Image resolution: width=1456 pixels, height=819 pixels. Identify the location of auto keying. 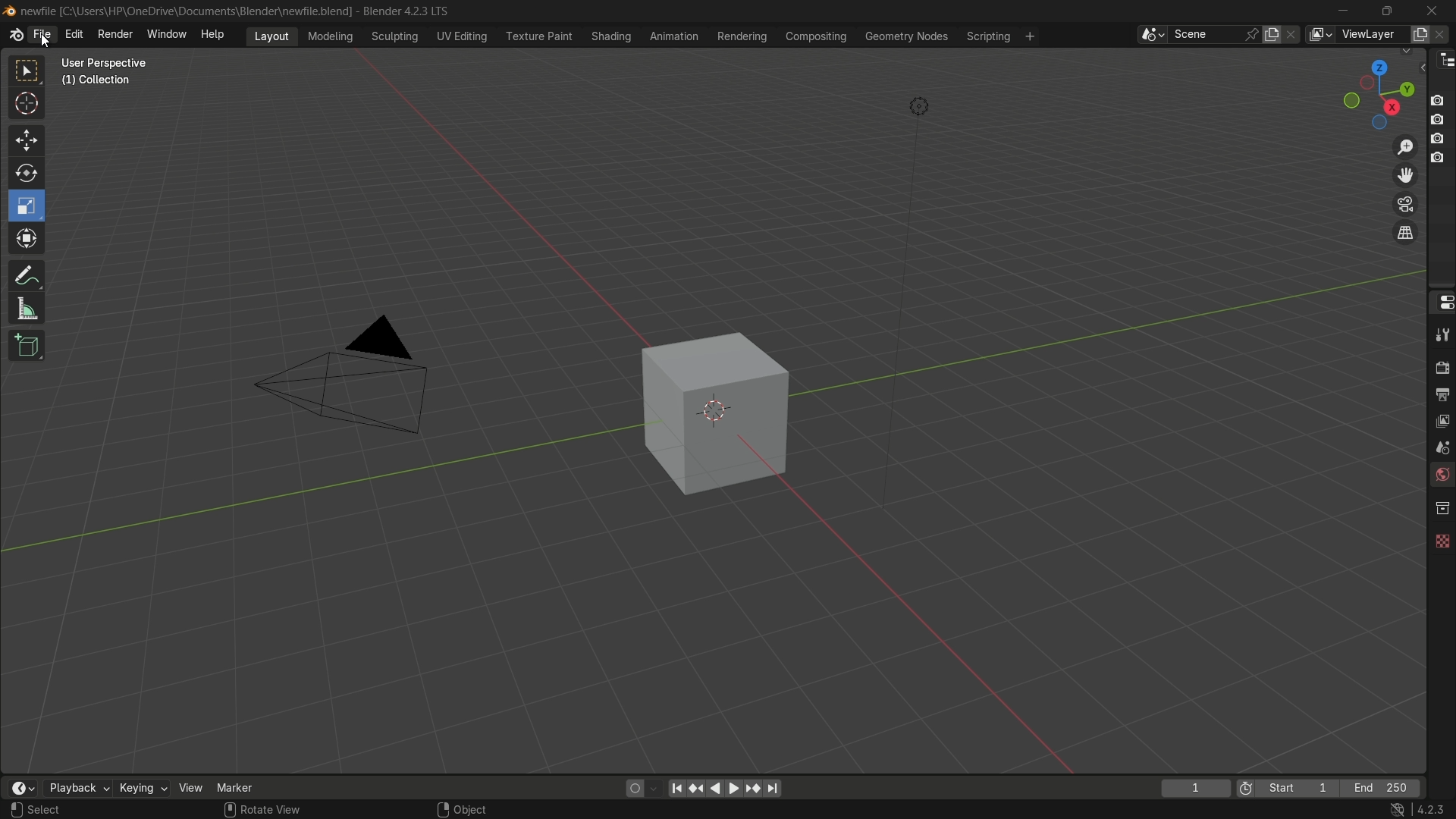
(631, 787).